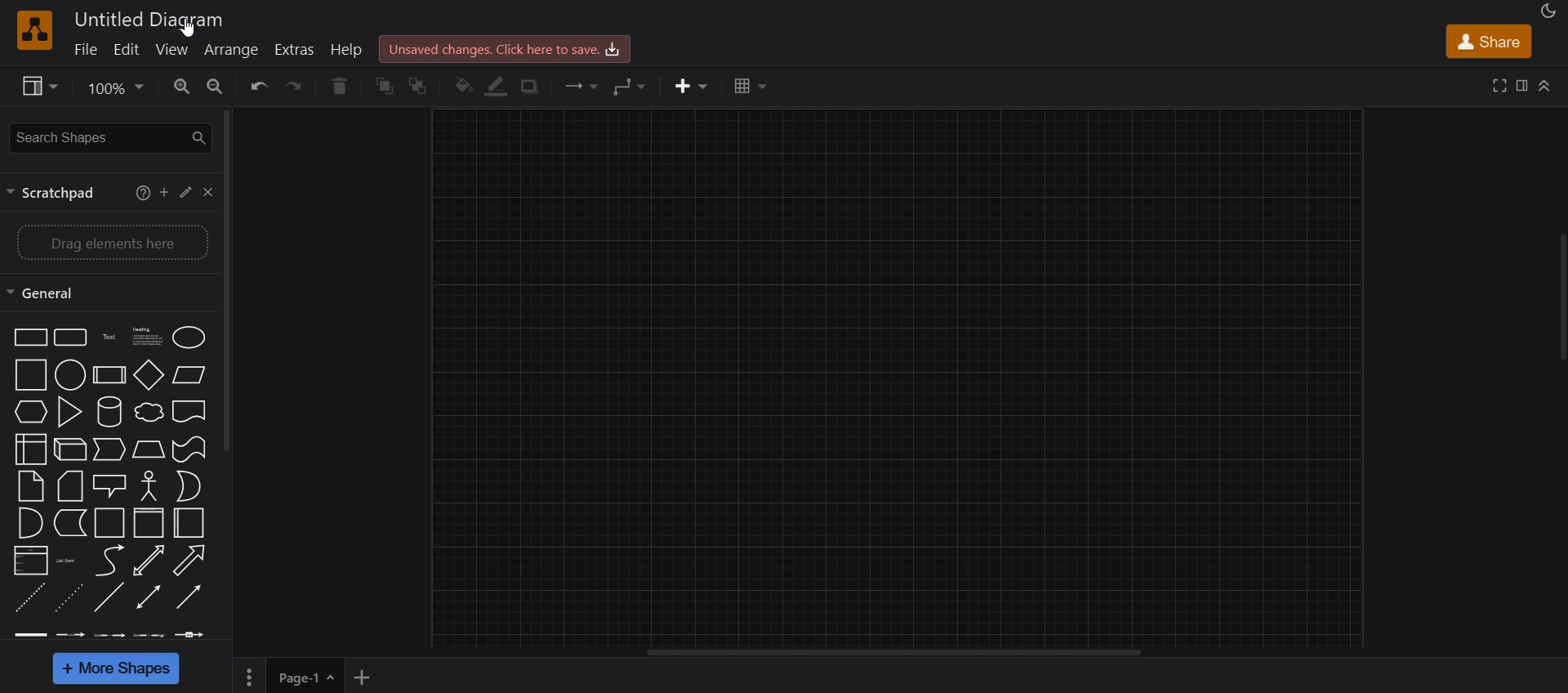  Describe the element at coordinates (1524, 87) in the screenshot. I see `format` at that location.